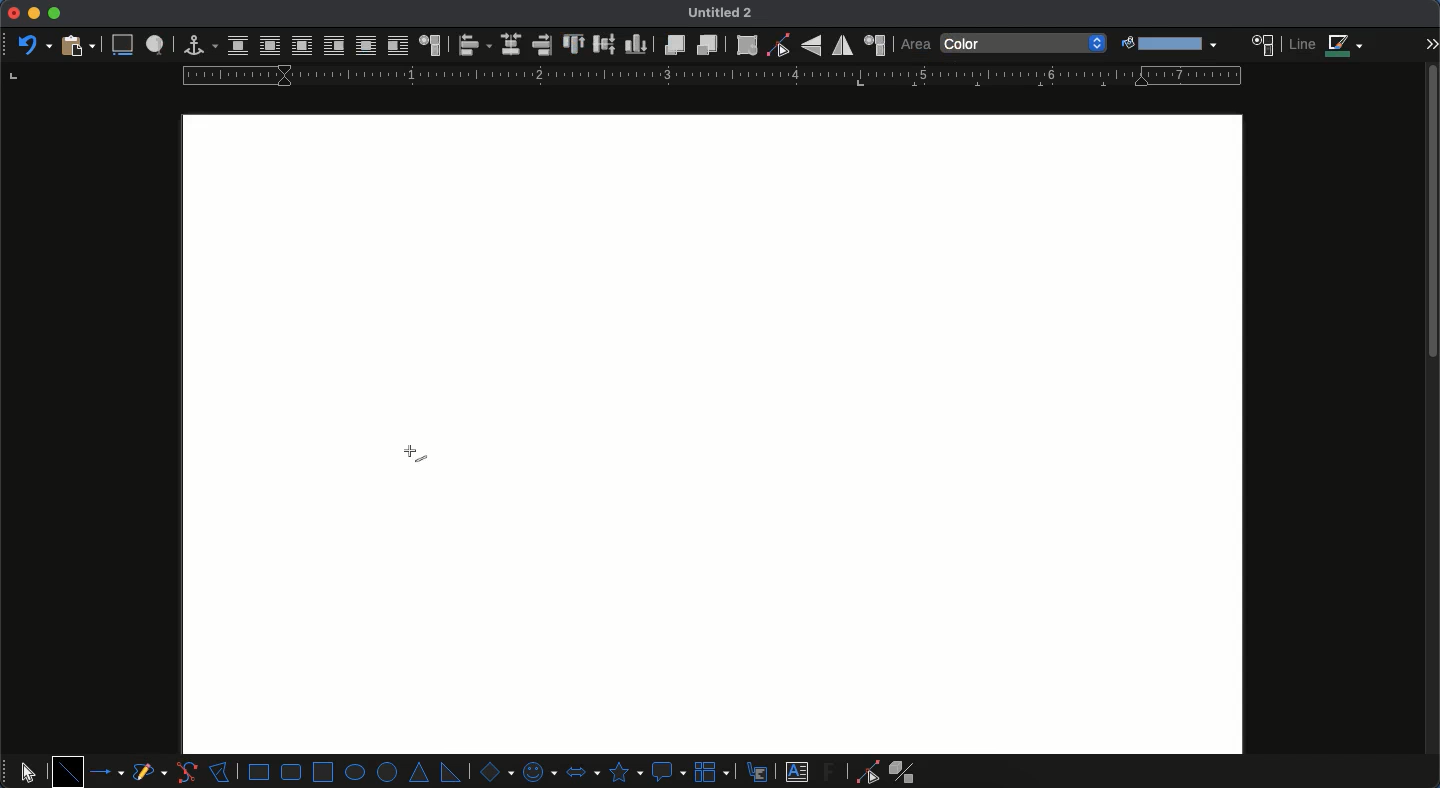 This screenshot has height=788, width=1440. I want to click on flip horizontally, so click(843, 45).